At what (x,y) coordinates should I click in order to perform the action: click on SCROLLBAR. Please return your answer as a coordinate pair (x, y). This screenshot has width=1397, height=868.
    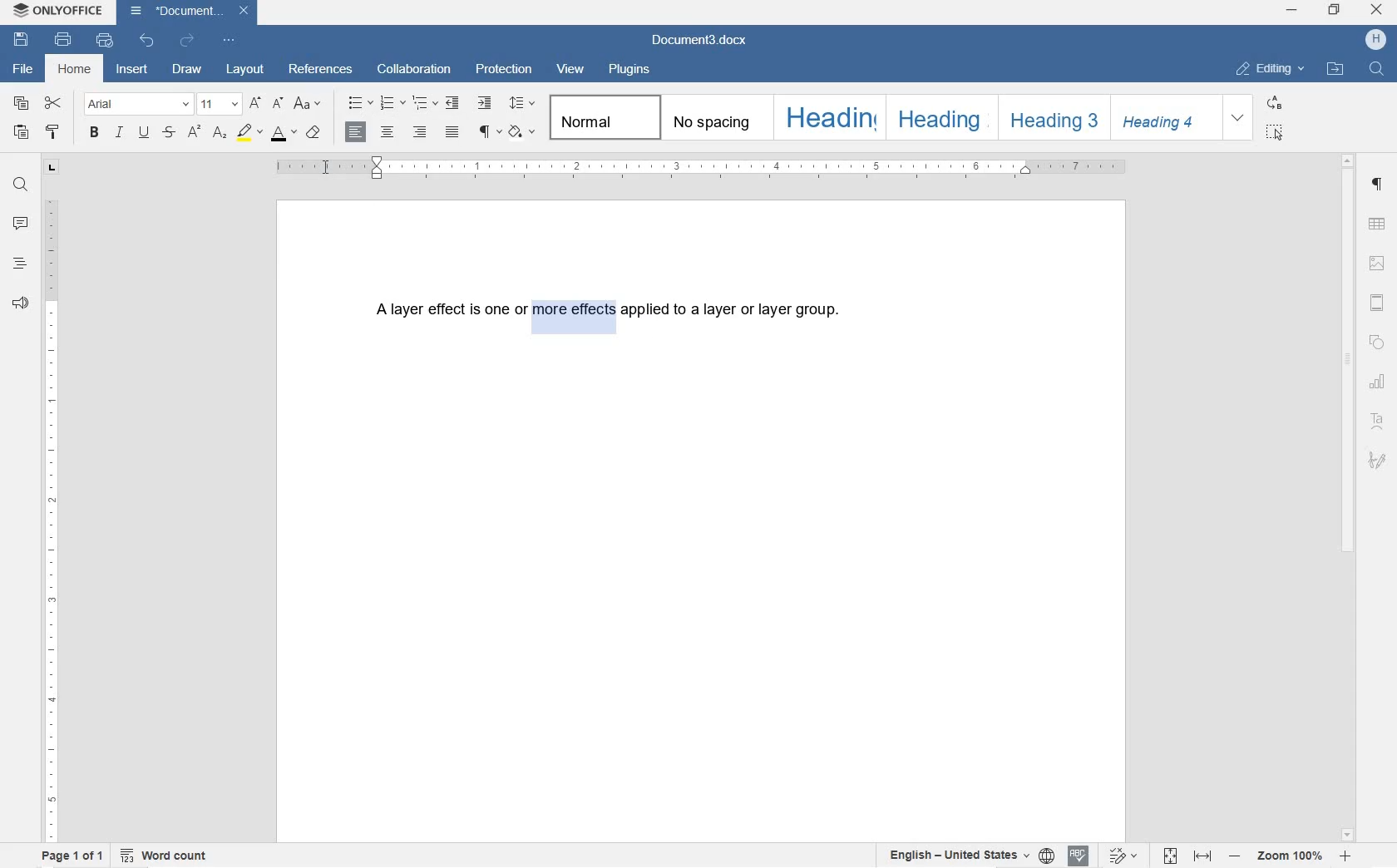
    Looking at the image, I should click on (1348, 497).